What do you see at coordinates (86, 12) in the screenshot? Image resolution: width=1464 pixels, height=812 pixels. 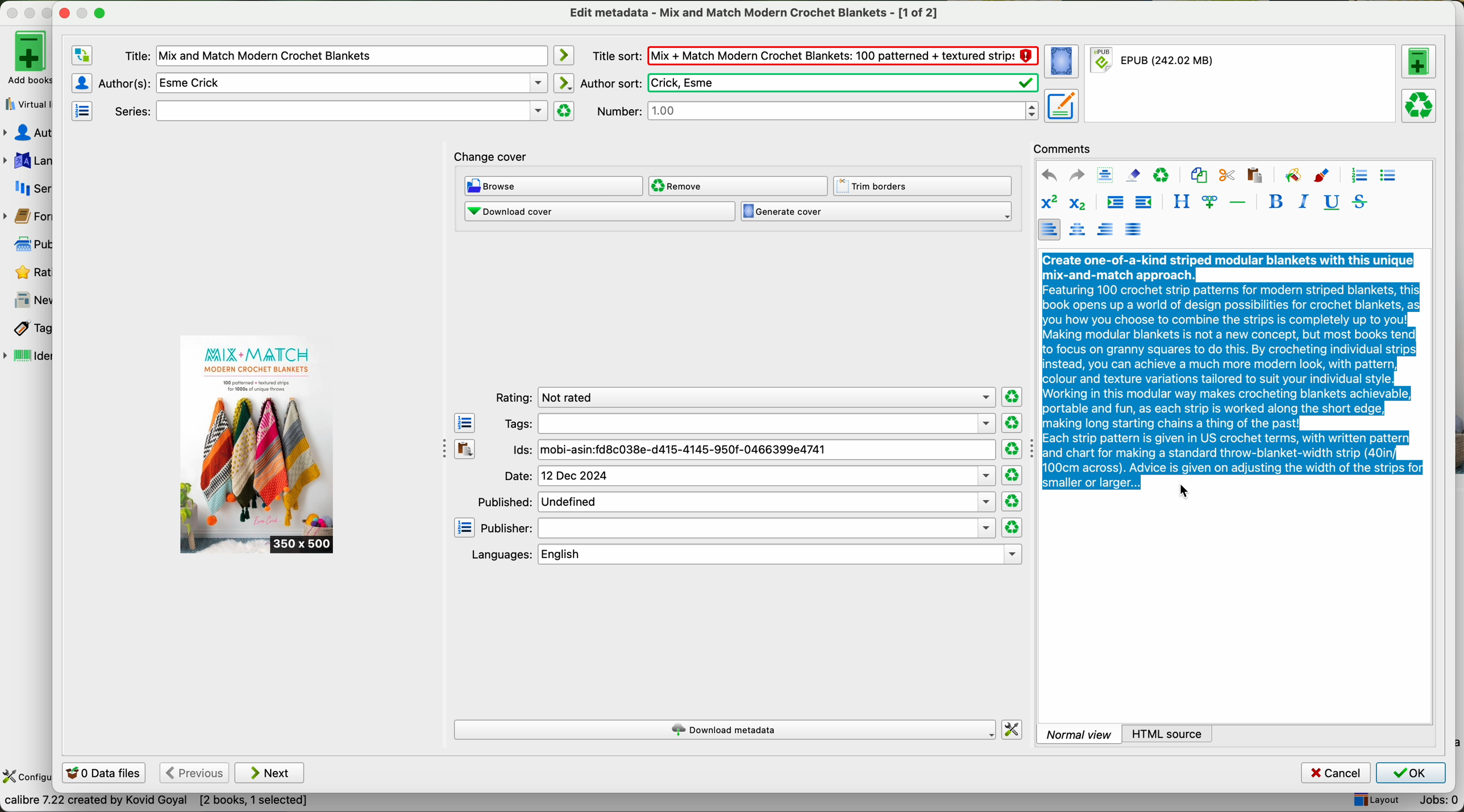 I see `disable minimize window` at bounding box center [86, 12].